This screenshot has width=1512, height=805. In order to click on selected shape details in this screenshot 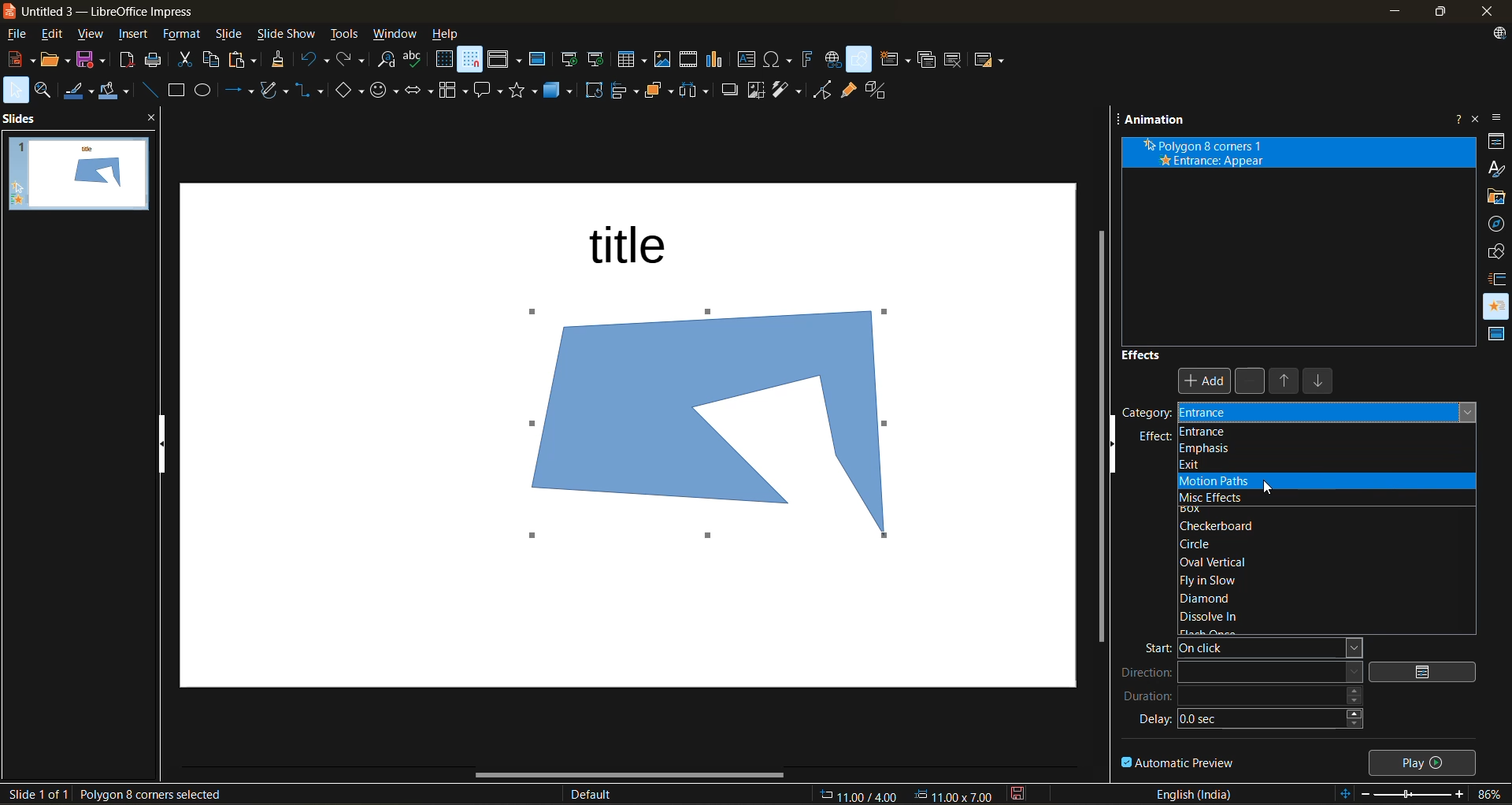, I will do `click(150, 796)`.